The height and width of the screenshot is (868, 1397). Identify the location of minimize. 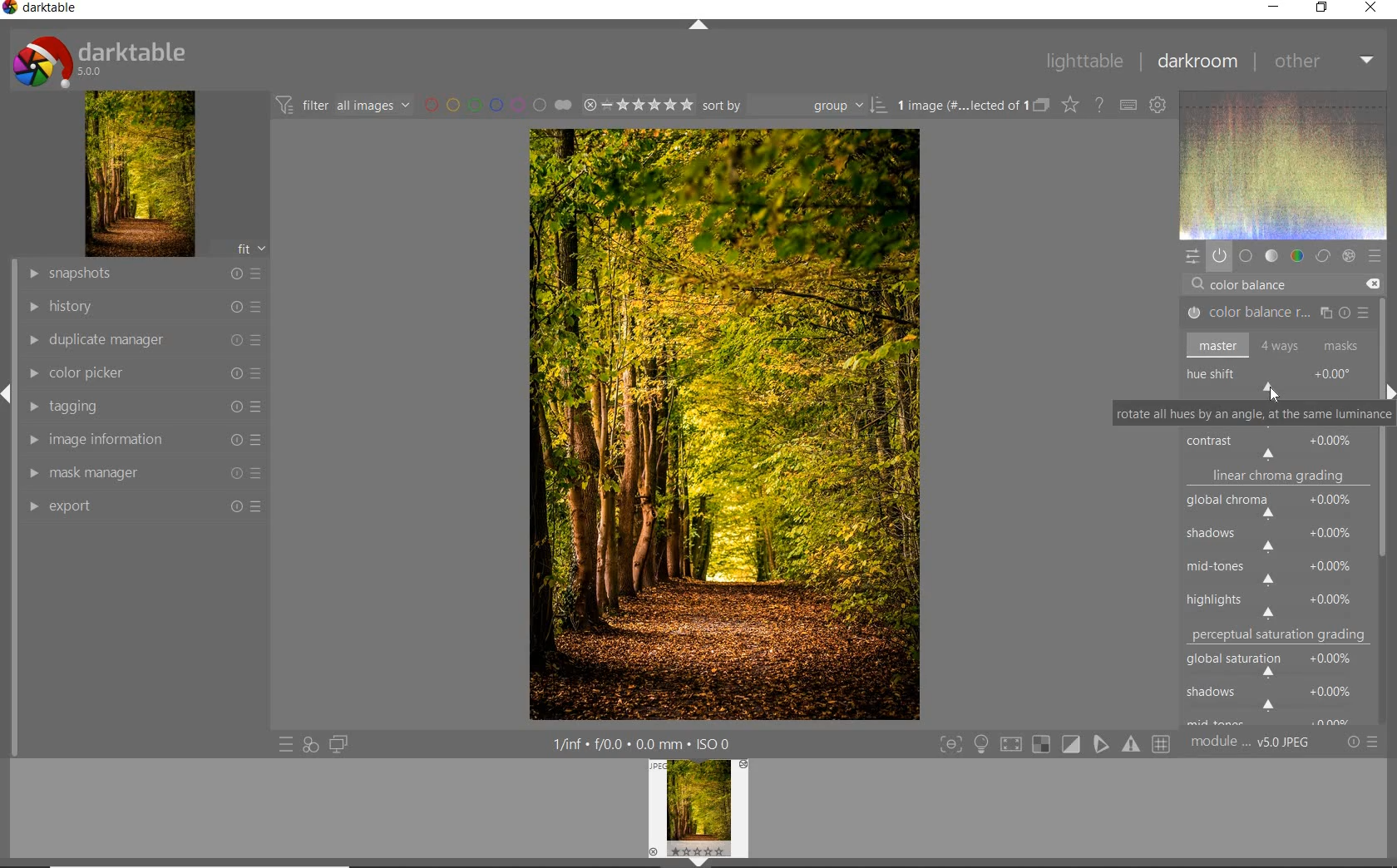
(1275, 6).